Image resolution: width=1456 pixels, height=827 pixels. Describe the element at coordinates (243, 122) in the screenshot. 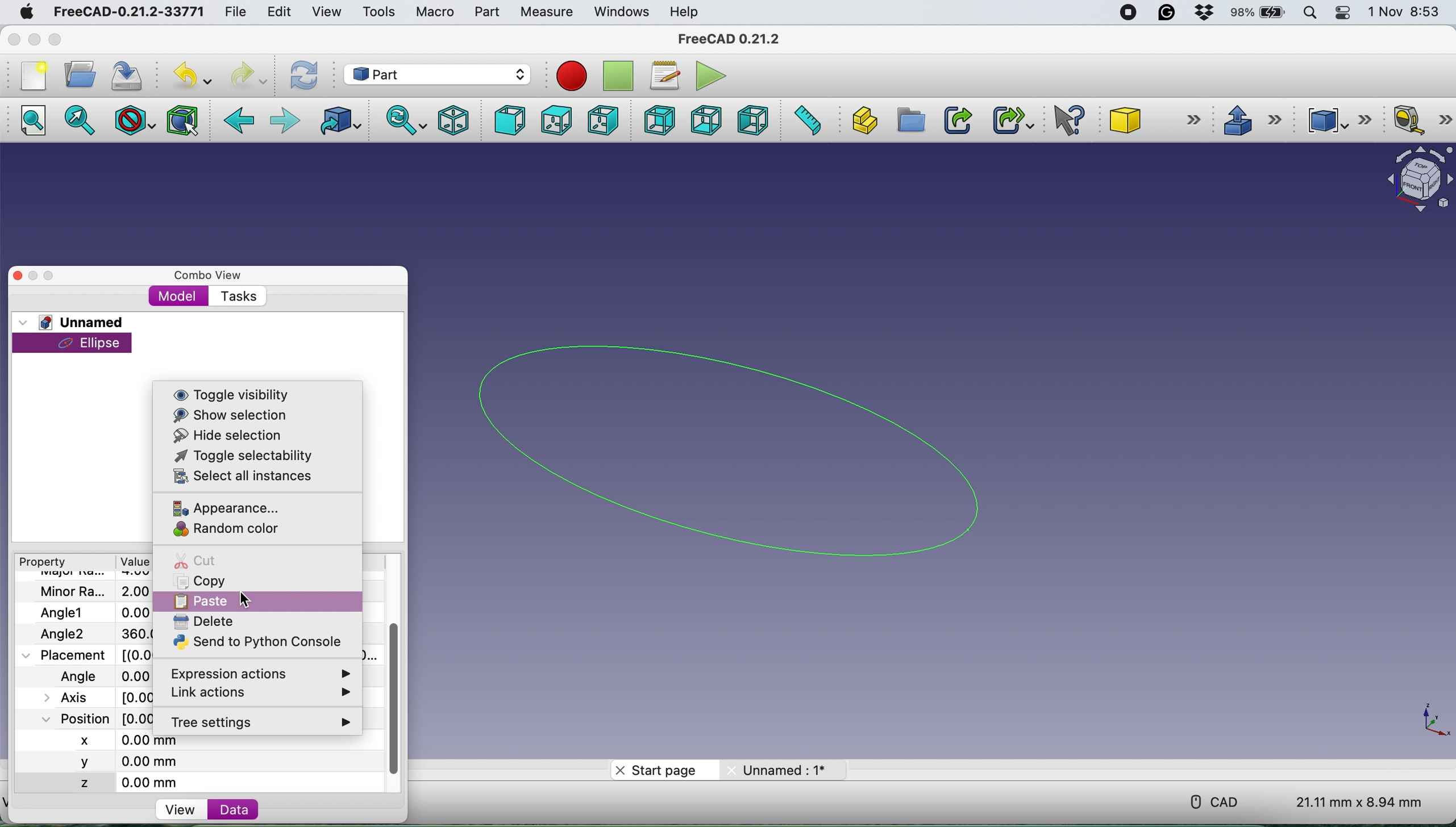

I see `backward` at that location.